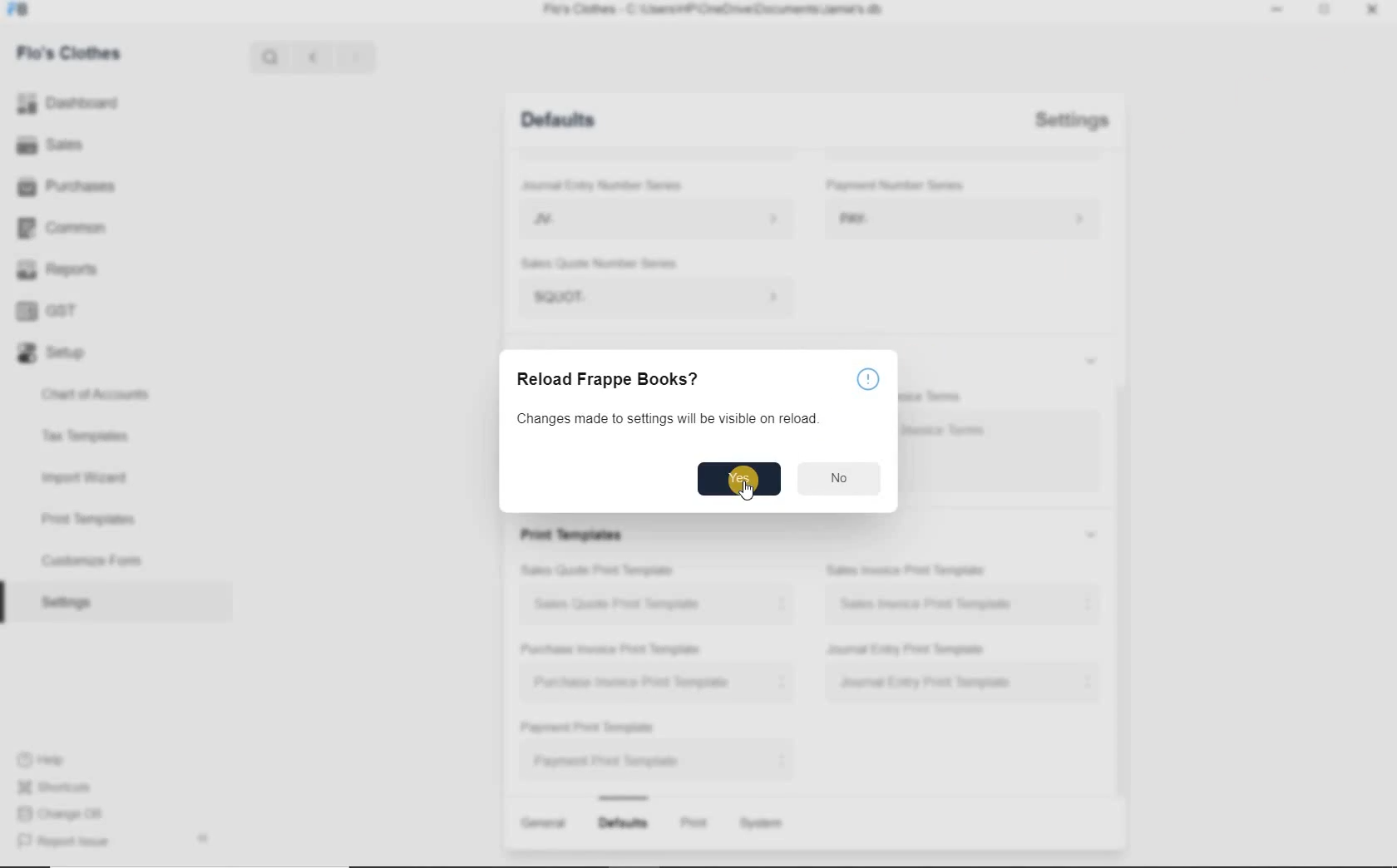 The height and width of the screenshot is (868, 1397). Describe the element at coordinates (1370, 11) in the screenshot. I see `Close` at that location.